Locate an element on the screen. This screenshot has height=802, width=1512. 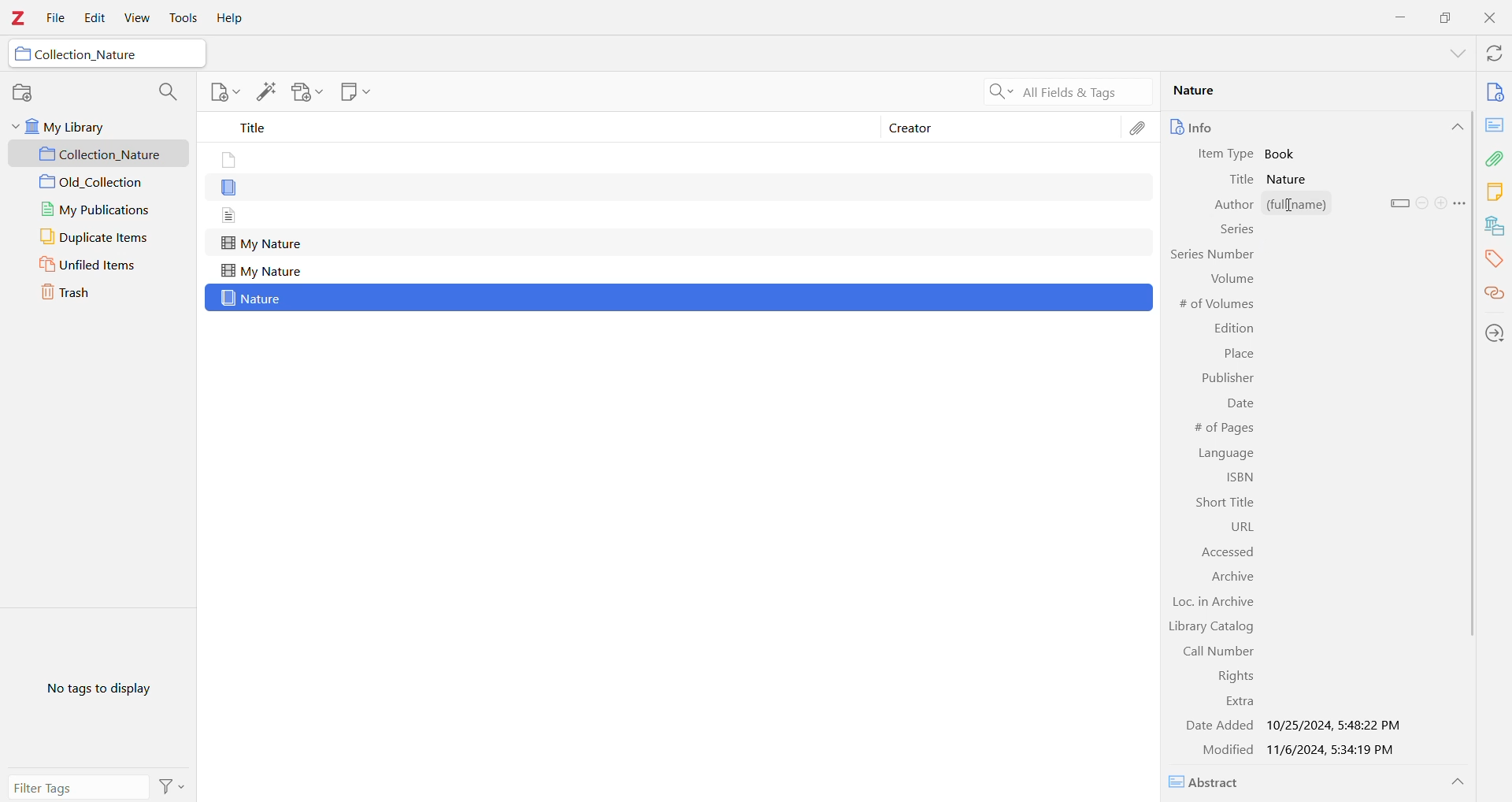
My Nature is located at coordinates (261, 272).